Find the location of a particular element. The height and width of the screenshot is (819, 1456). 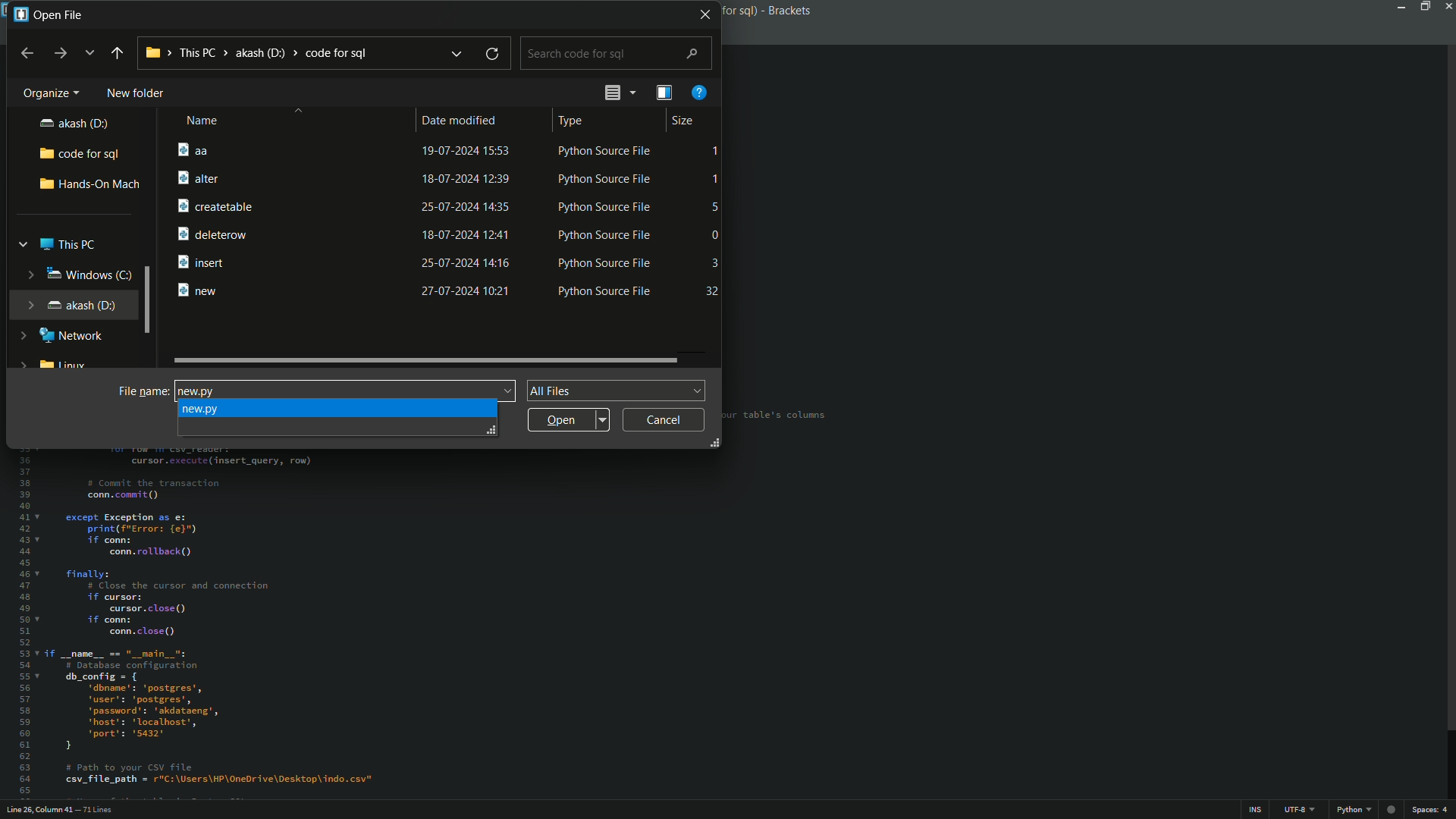

Python Source File is located at coordinates (603, 234).